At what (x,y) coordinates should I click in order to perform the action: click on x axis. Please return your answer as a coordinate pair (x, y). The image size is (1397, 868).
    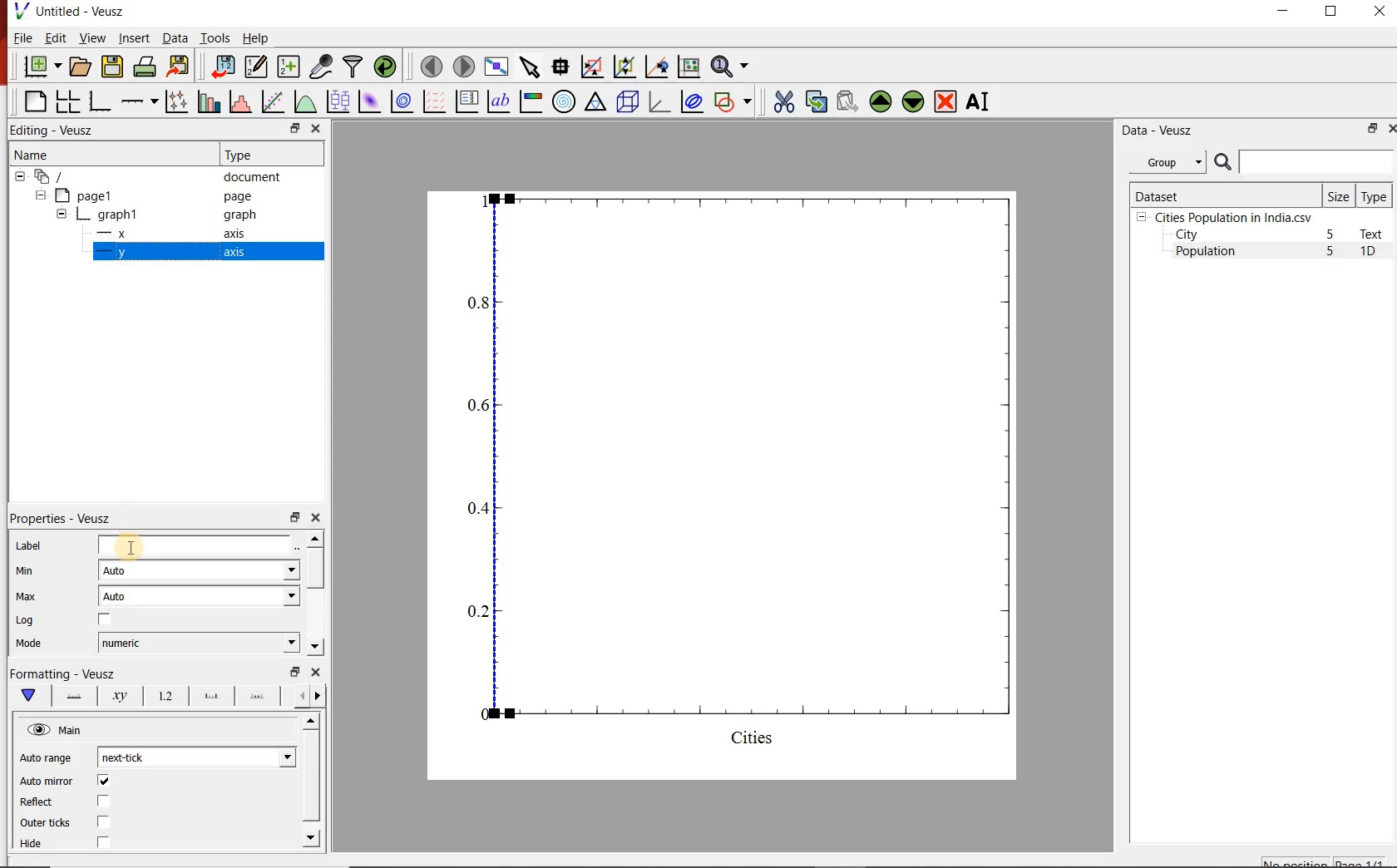
    Looking at the image, I should click on (173, 234).